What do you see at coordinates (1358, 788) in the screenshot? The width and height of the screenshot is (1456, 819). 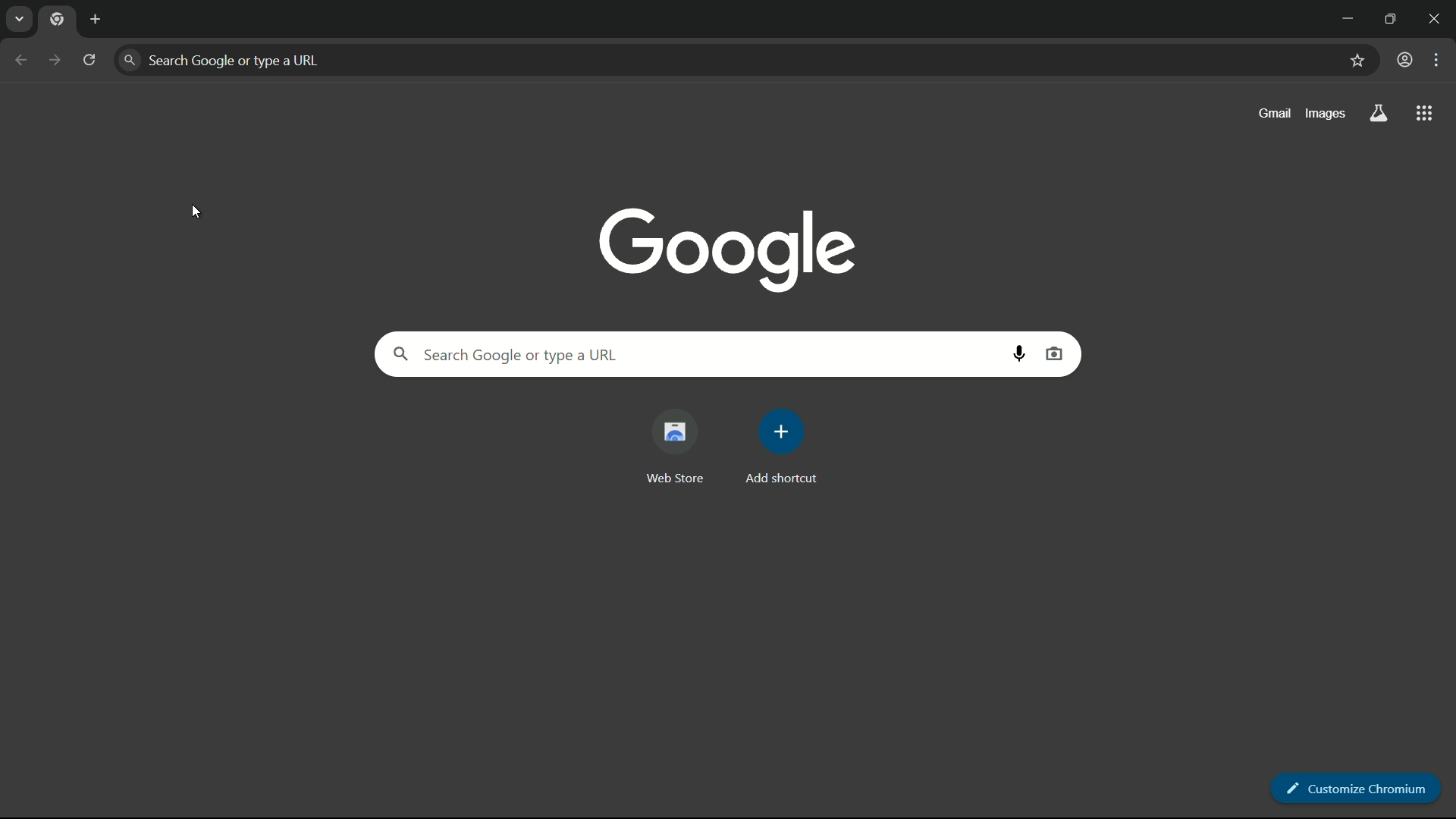 I see `customize chromium` at bounding box center [1358, 788].